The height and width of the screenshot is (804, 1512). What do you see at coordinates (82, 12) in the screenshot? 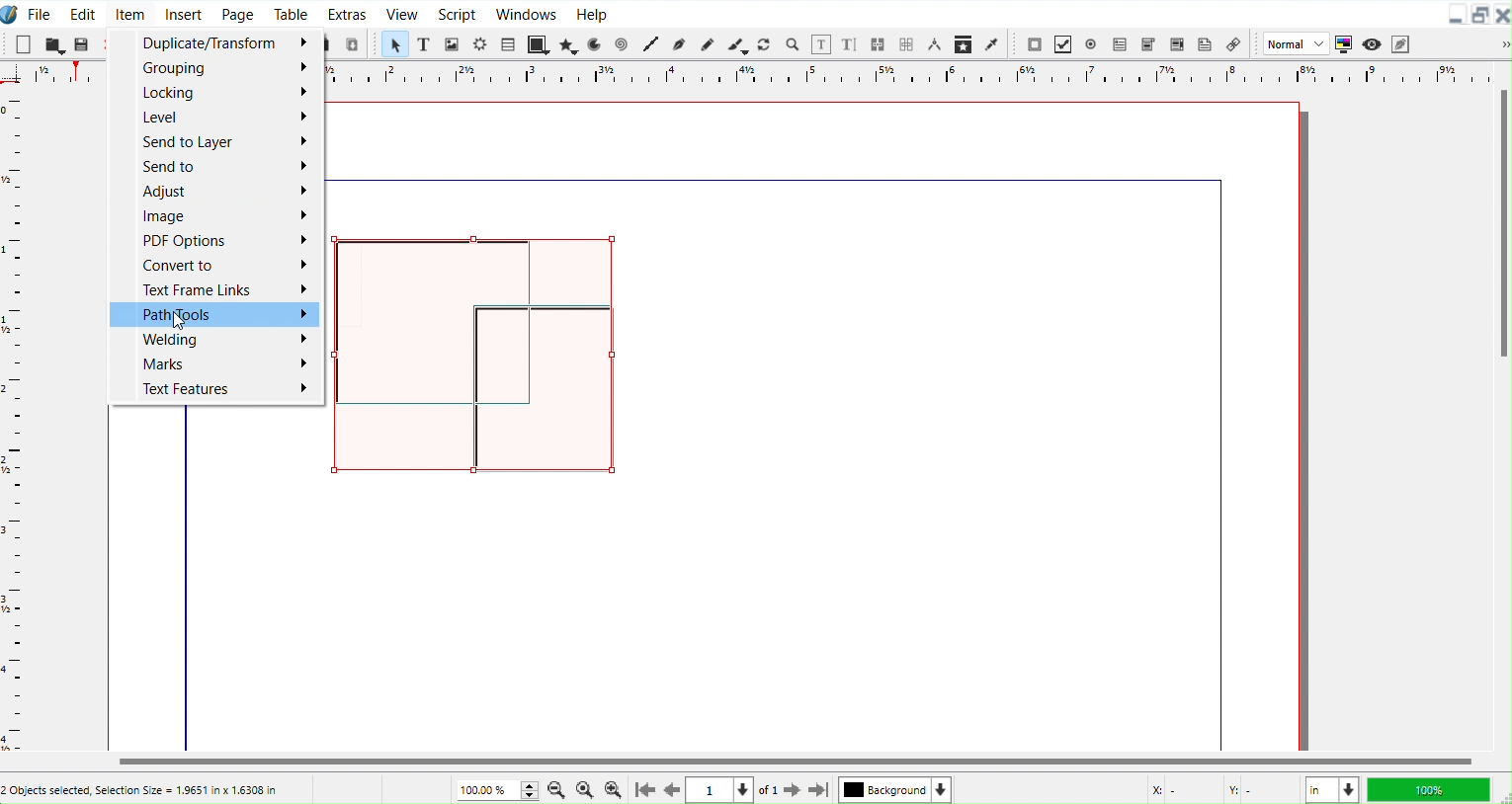
I see `Edit` at bounding box center [82, 12].